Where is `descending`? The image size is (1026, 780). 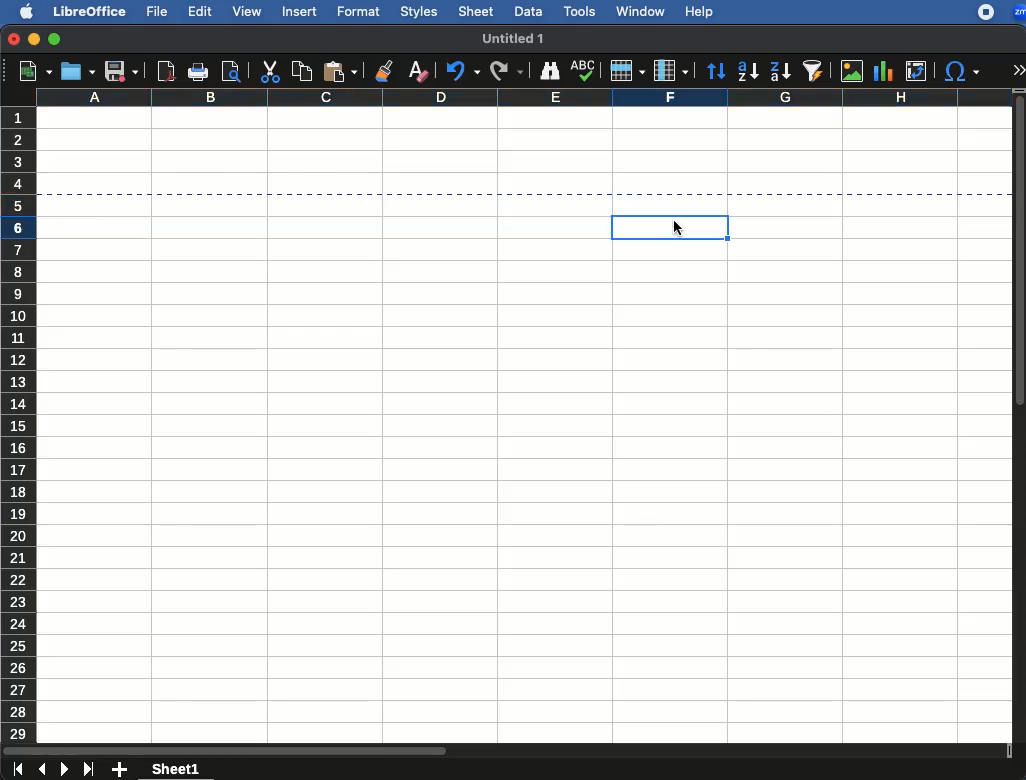 descending is located at coordinates (780, 71).